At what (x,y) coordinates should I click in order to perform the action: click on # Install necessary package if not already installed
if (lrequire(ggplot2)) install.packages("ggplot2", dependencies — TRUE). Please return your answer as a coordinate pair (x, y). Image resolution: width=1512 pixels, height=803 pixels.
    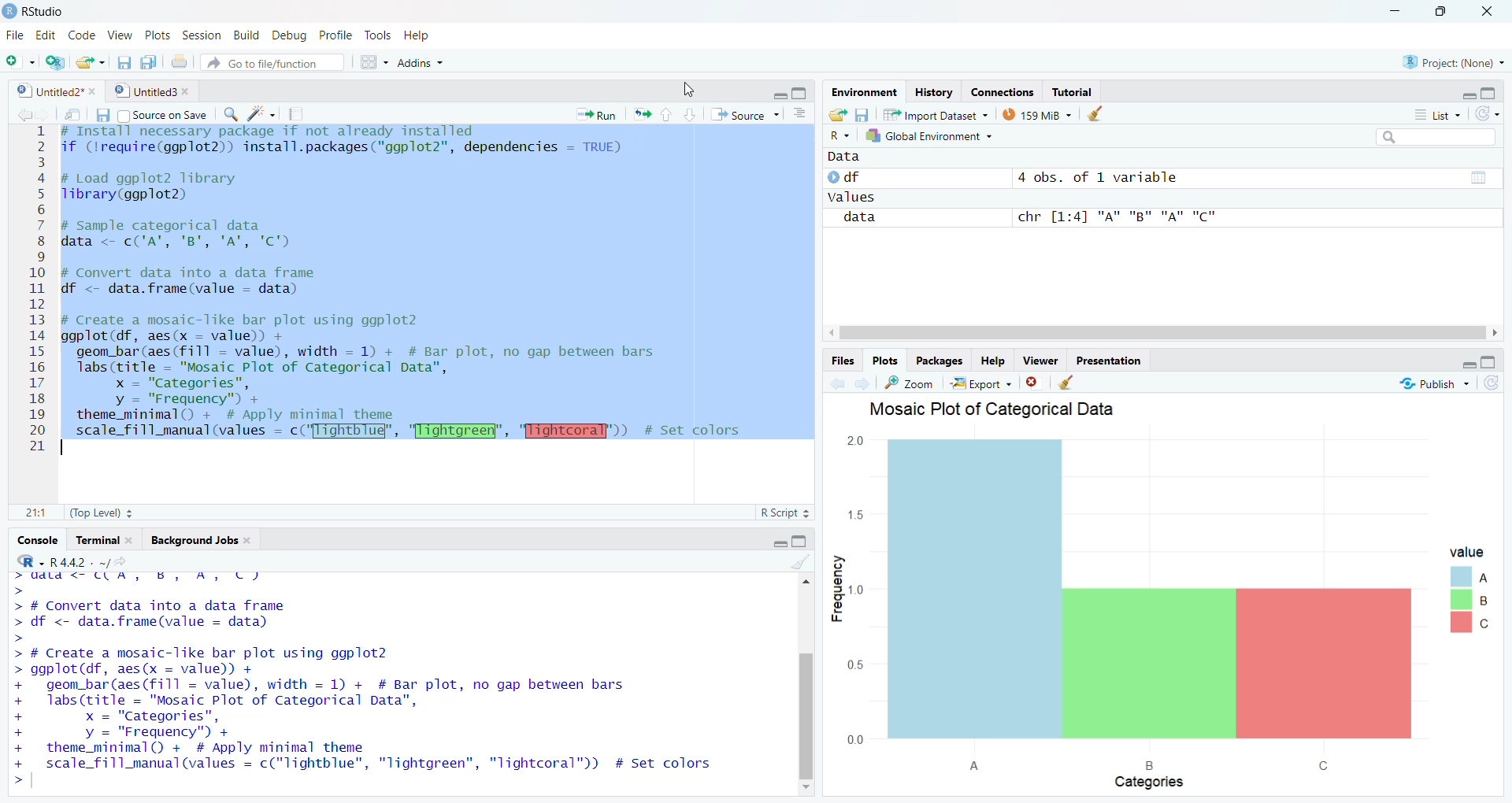
    Looking at the image, I should click on (352, 144).